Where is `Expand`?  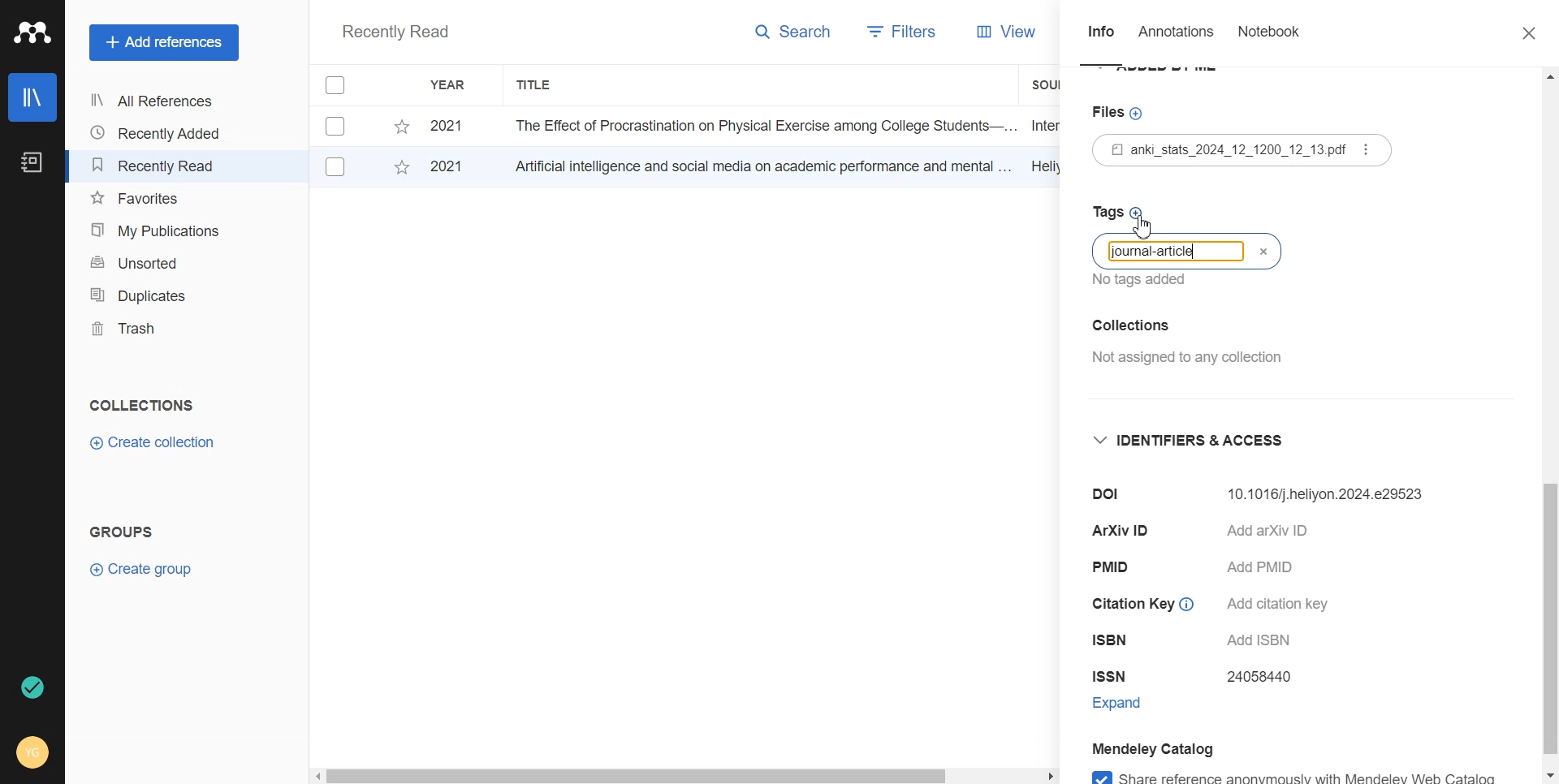 Expand is located at coordinates (1132, 706).